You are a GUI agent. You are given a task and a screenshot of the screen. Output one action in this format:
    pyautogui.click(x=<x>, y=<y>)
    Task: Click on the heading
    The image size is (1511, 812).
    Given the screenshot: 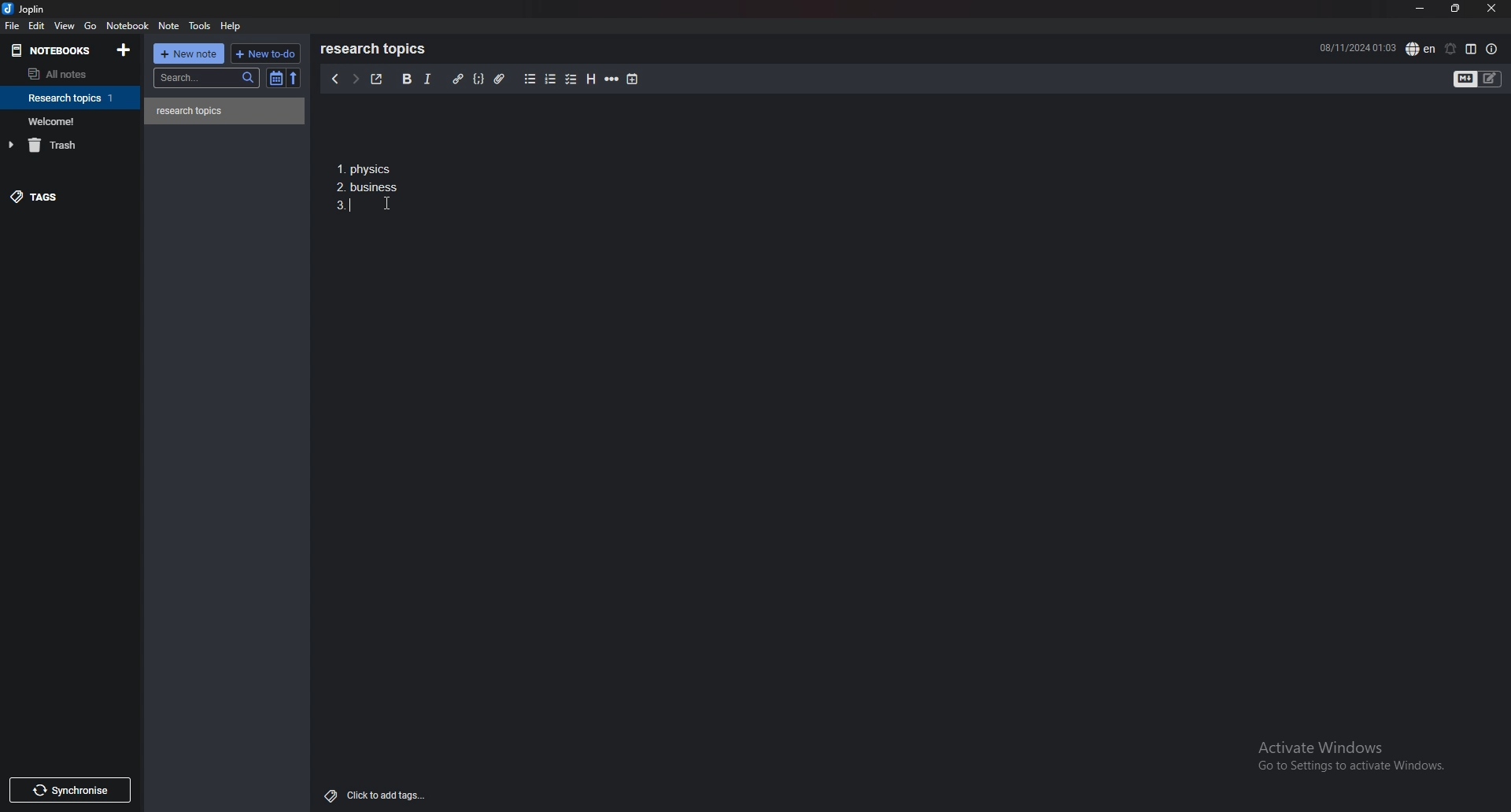 What is the action you would take?
    pyautogui.click(x=590, y=79)
    